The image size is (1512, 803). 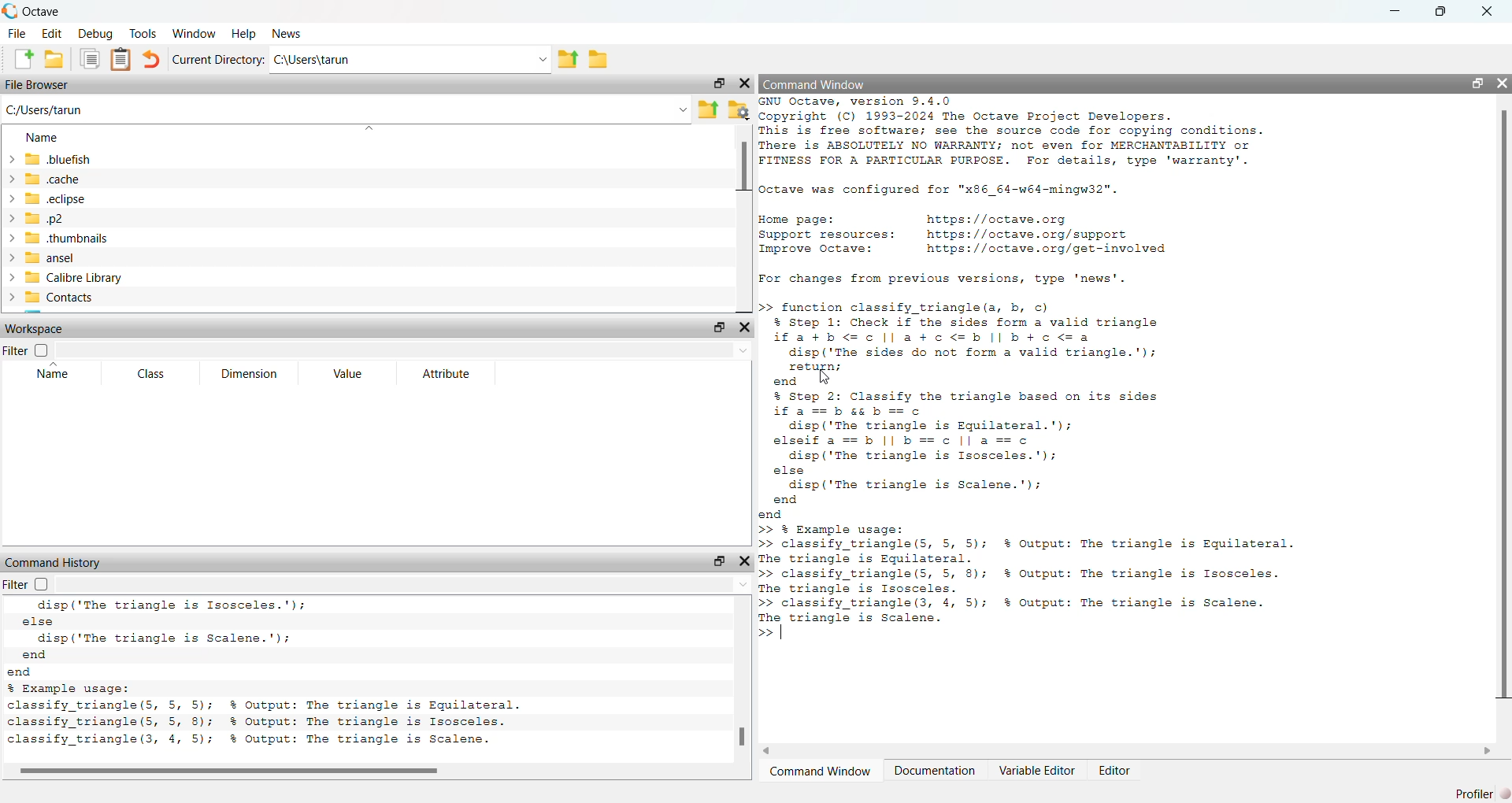 What do you see at coordinates (50, 179) in the screenshot?
I see `.cache` at bounding box center [50, 179].